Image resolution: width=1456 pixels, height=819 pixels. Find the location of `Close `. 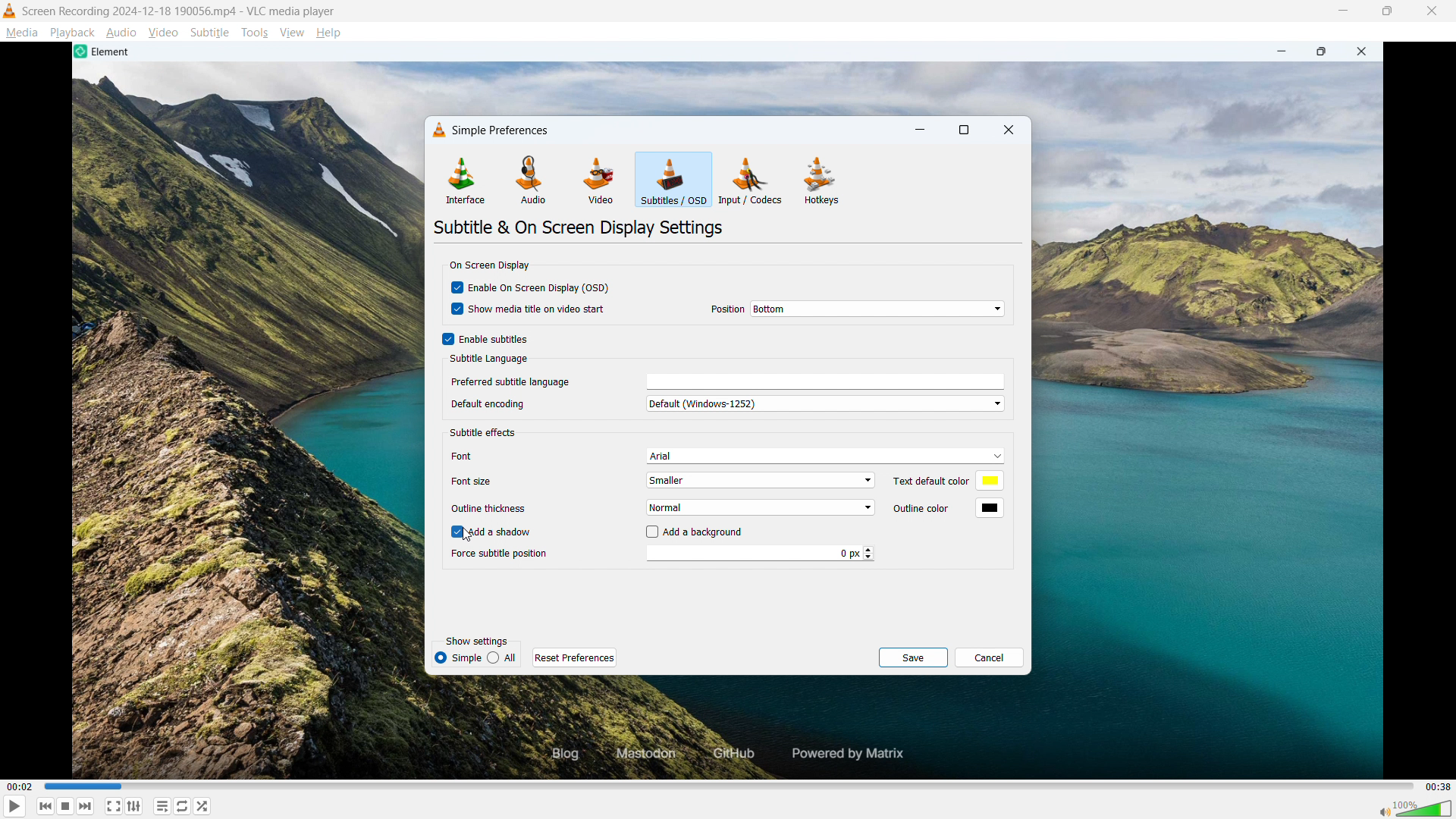

Close  is located at coordinates (1432, 11).